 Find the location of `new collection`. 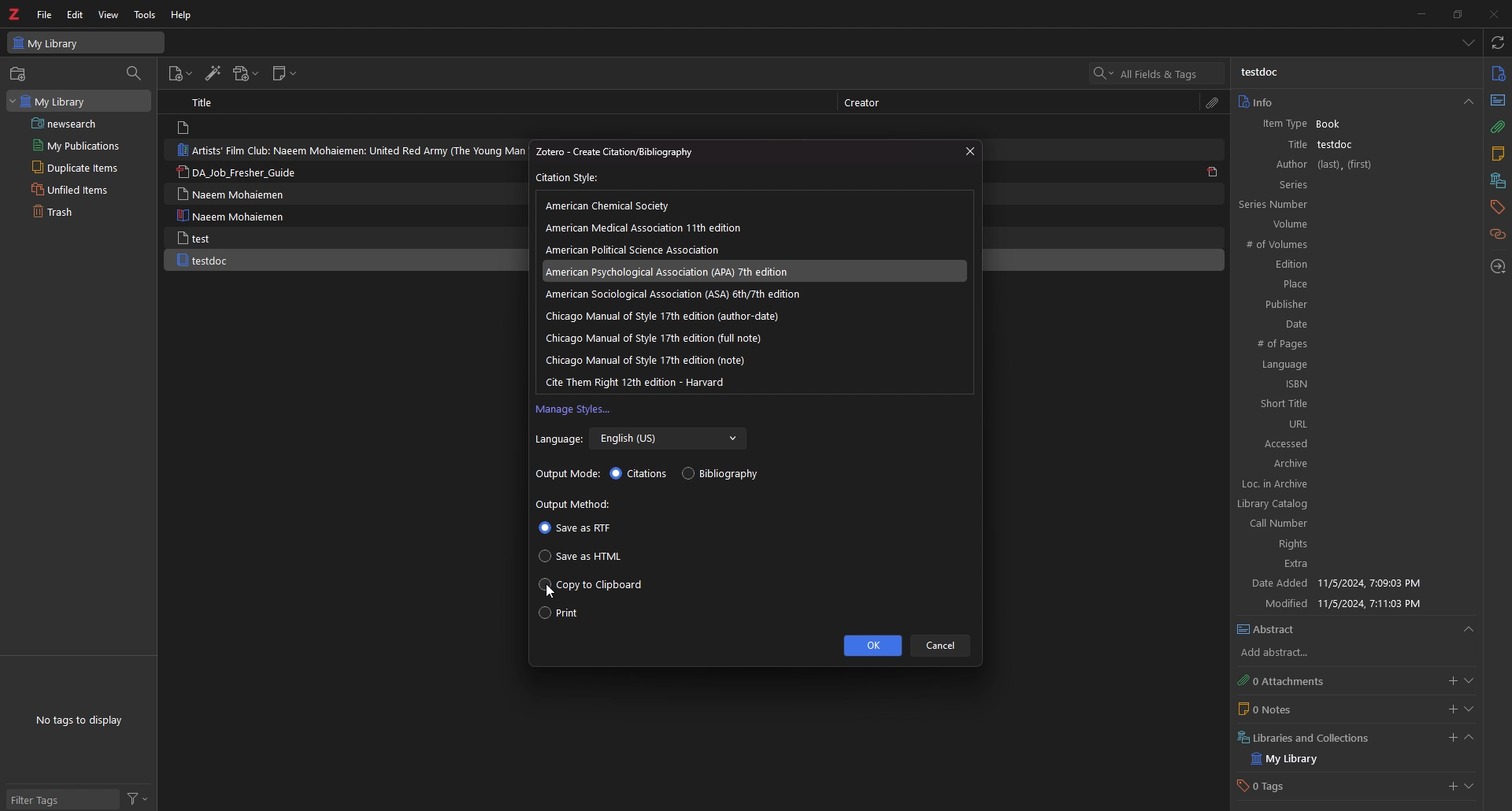

new collection is located at coordinates (20, 74).